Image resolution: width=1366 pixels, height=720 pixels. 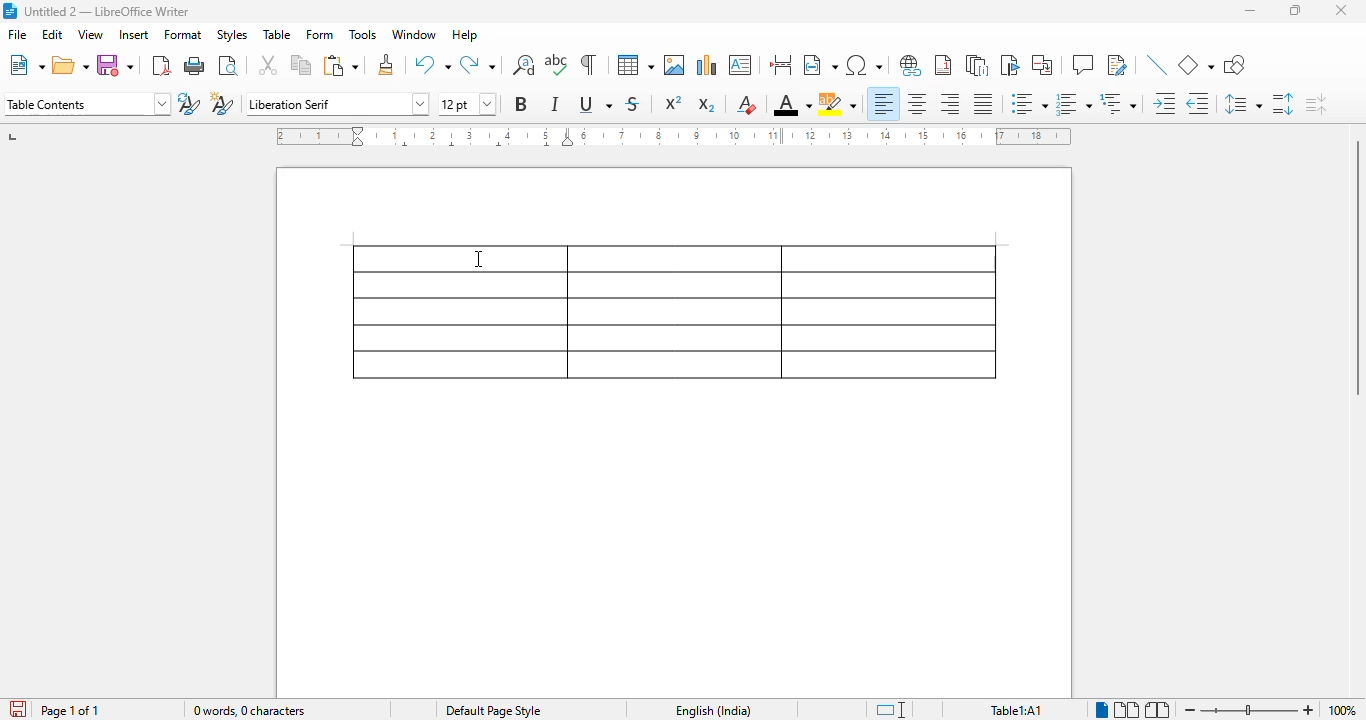 I want to click on insert text box, so click(x=740, y=65).